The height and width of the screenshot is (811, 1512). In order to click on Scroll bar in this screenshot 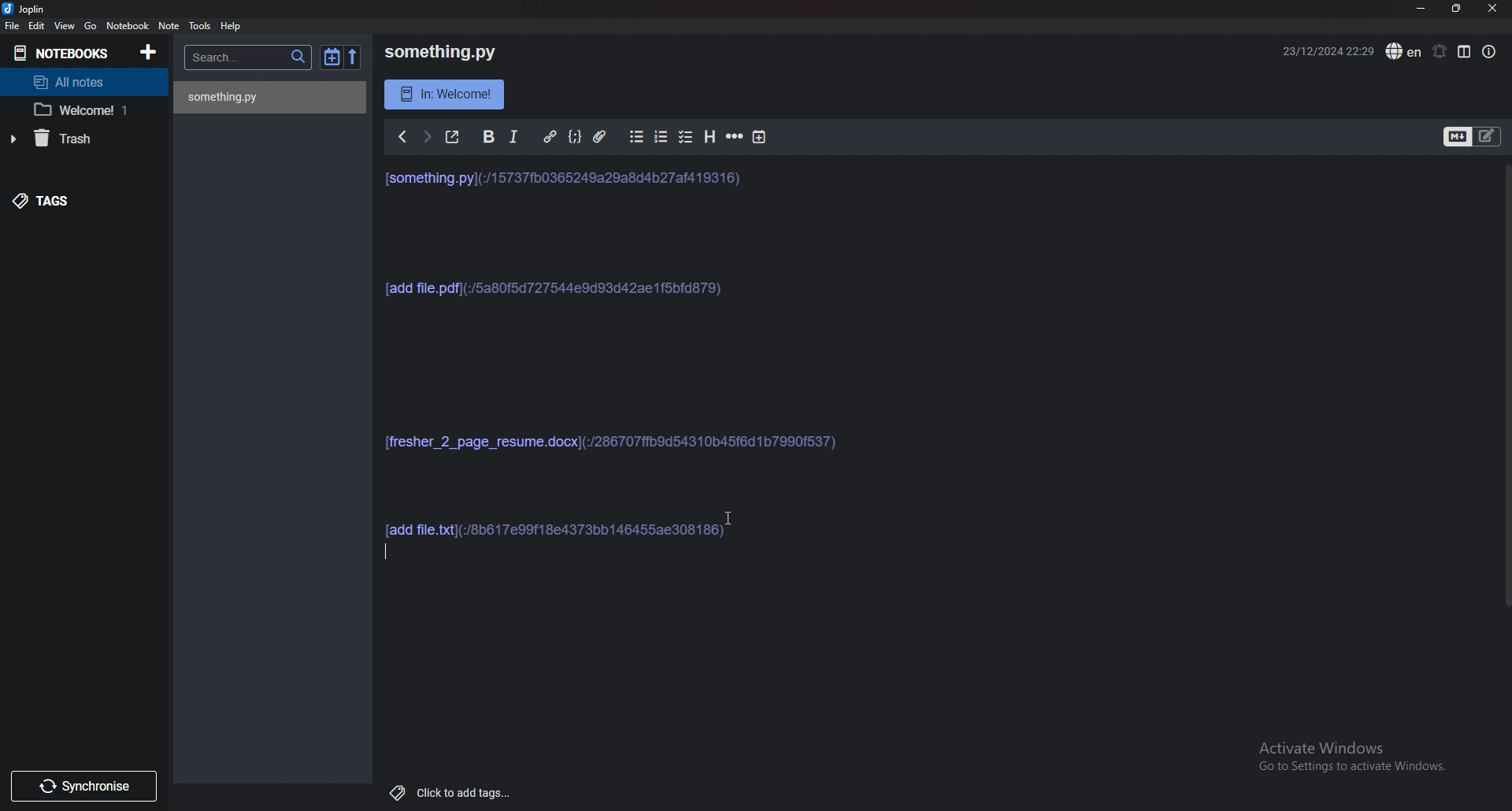, I will do `click(1505, 405)`.